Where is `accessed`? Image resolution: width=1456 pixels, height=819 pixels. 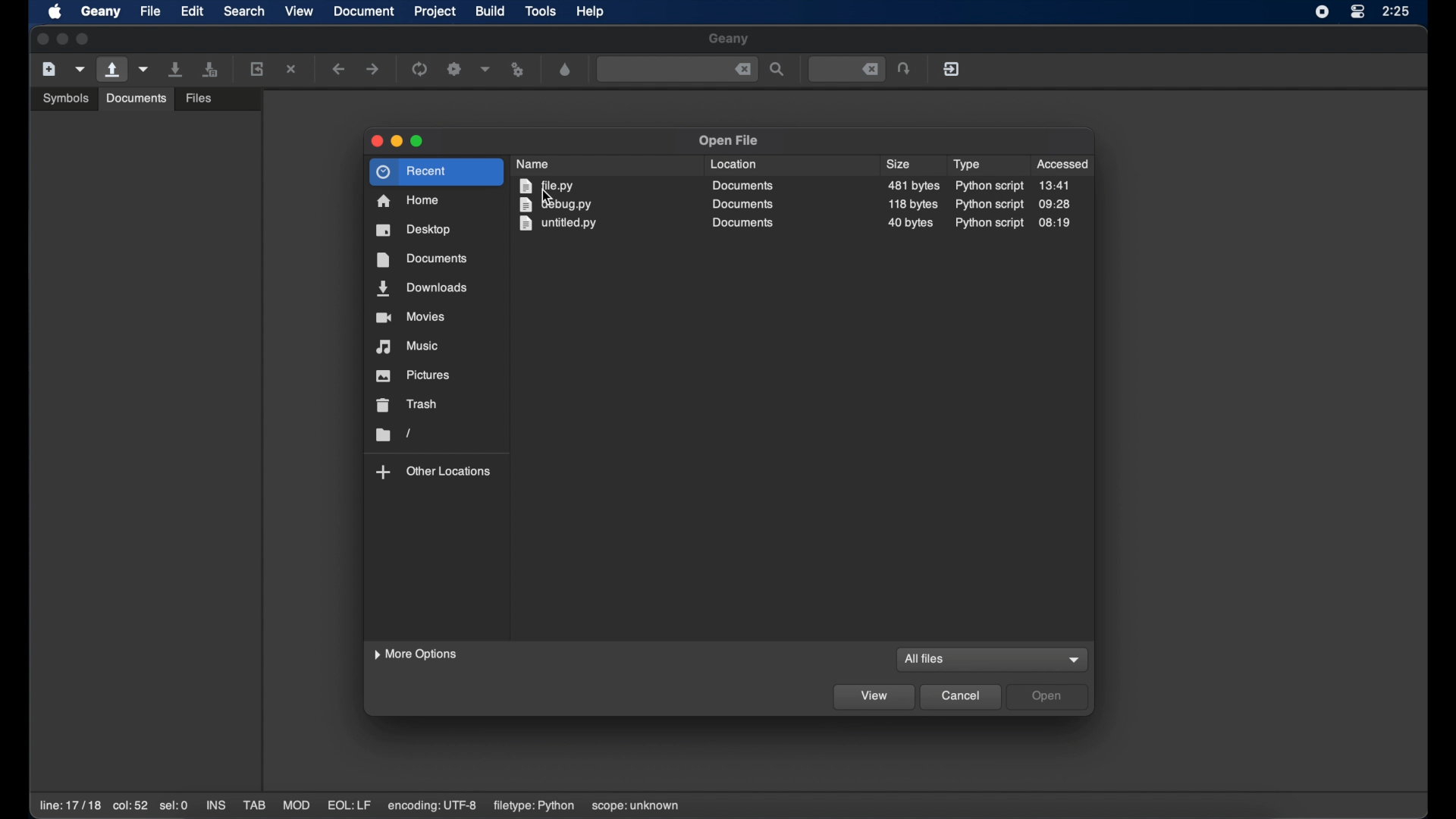 accessed is located at coordinates (1063, 165).